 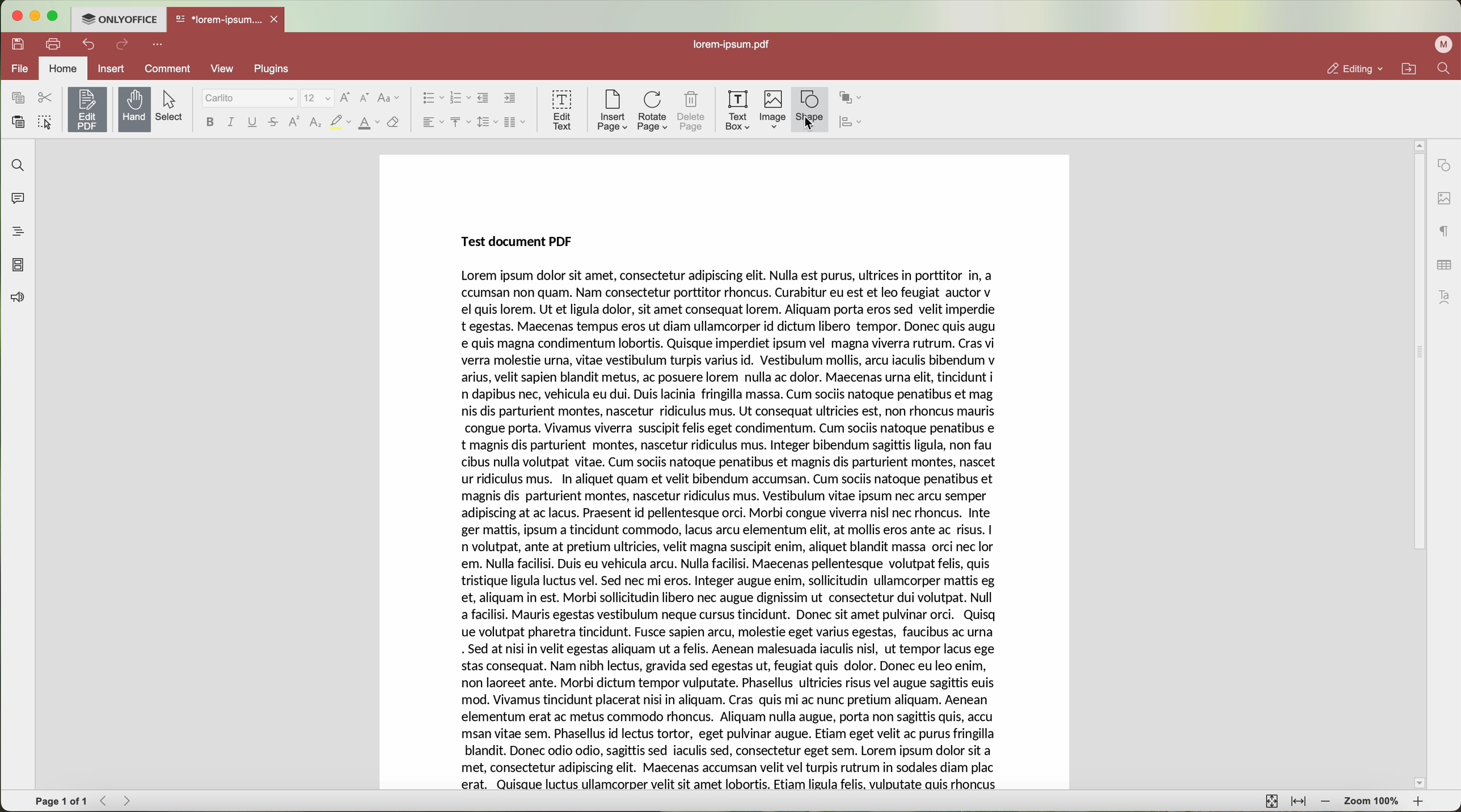 I want to click on home, so click(x=65, y=67).